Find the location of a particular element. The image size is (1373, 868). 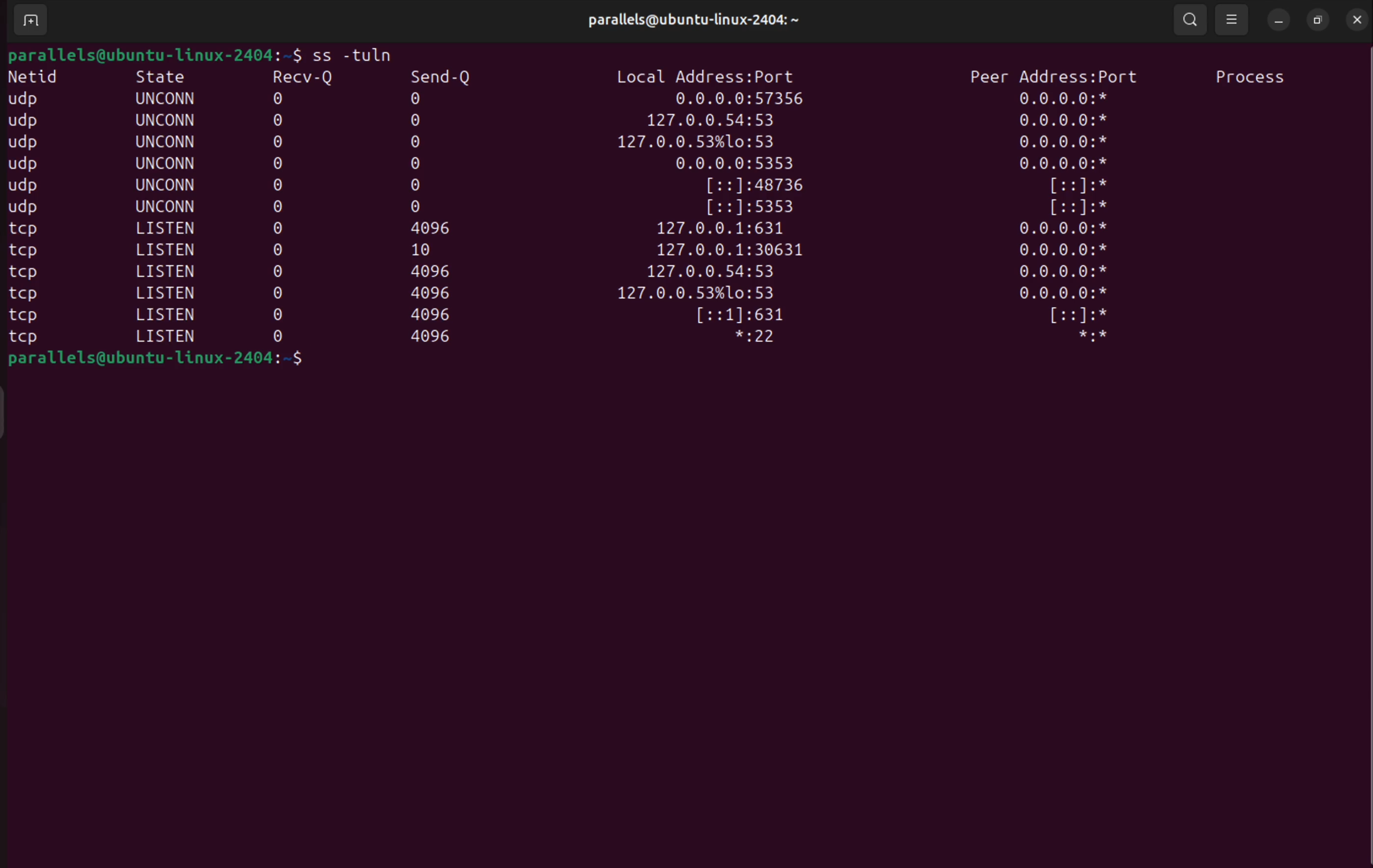

 is located at coordinates (278, 228).